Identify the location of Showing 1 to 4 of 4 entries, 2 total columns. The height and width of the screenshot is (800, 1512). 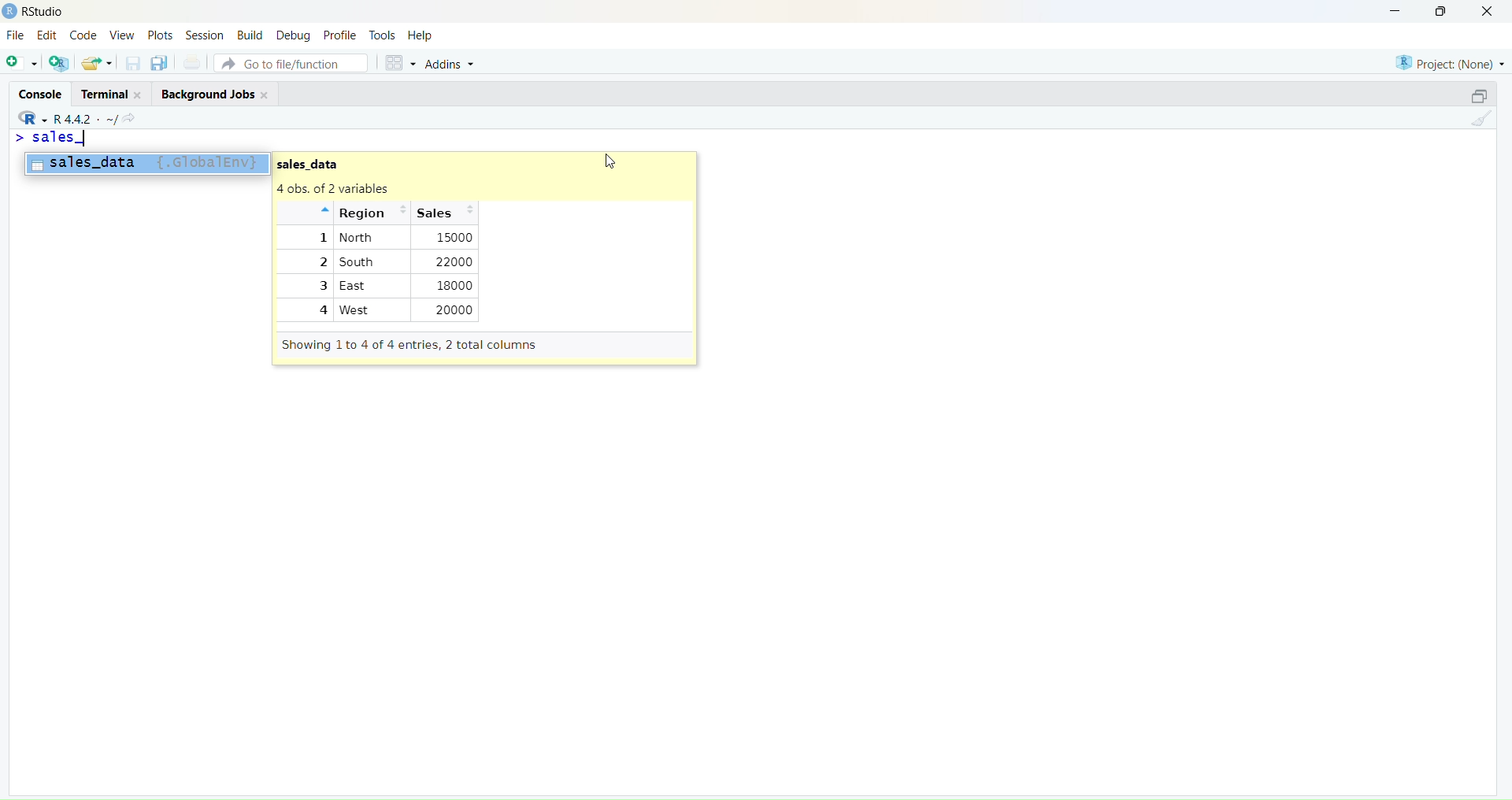
(413, 345).